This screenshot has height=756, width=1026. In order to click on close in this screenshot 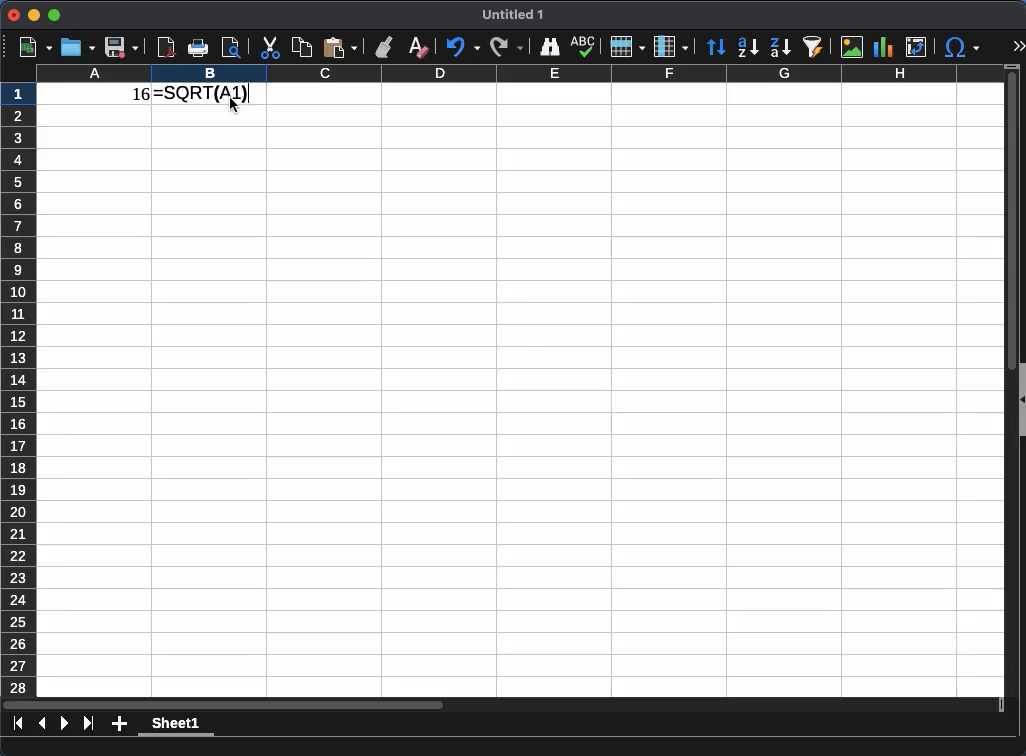, I will do `click(14, 15)`.